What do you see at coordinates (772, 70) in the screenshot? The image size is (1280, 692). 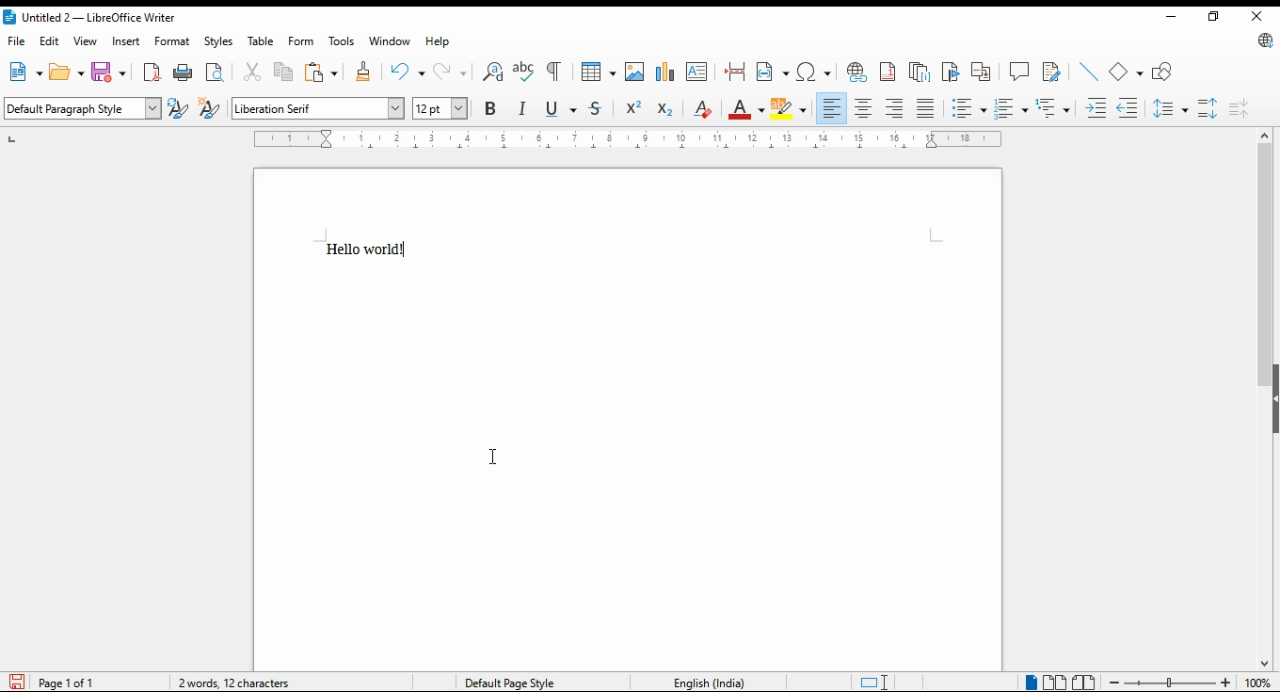 I see `insert field` at bounding box center [772, 70].